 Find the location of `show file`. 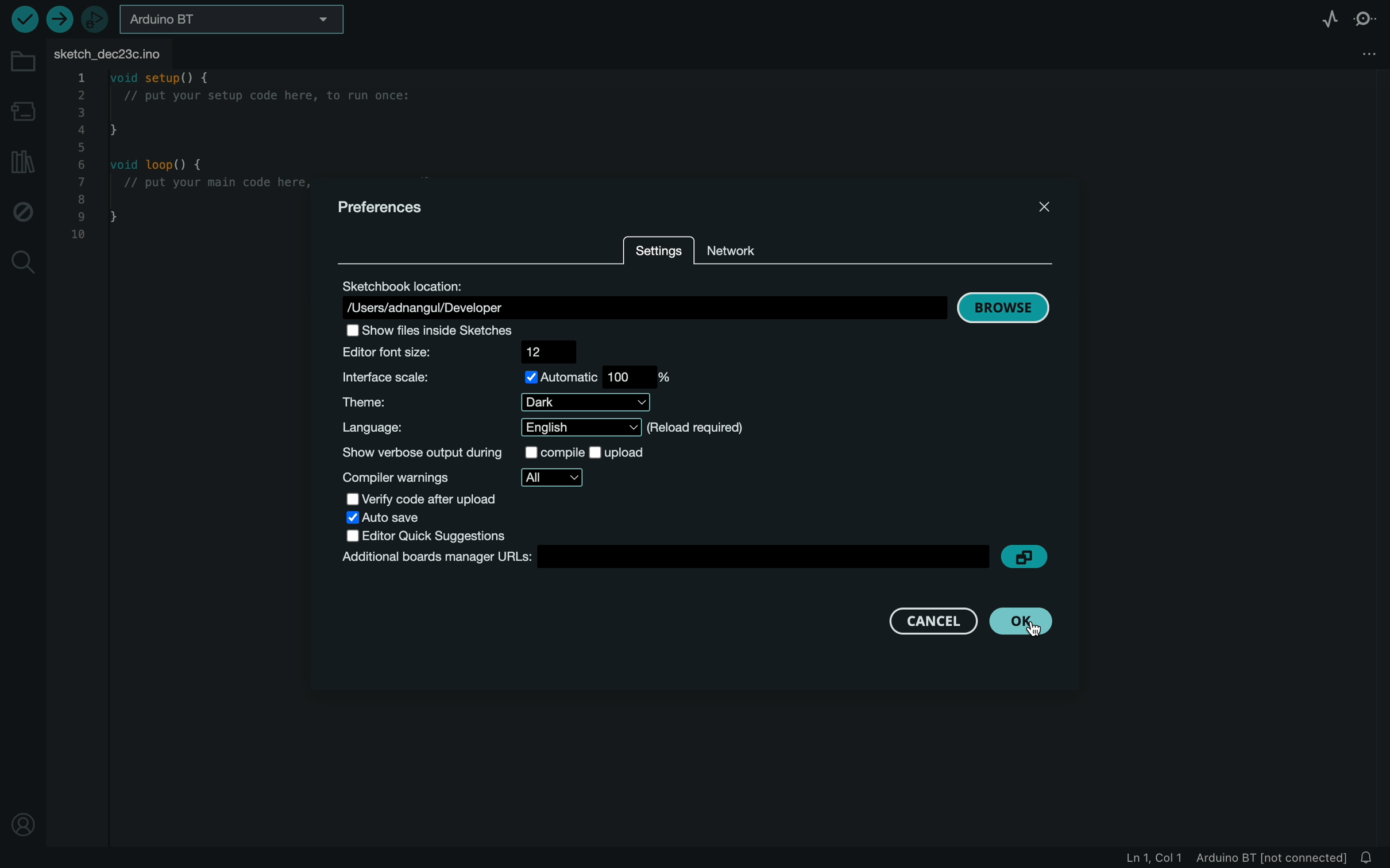

show file is located at coordinates (457, 330).